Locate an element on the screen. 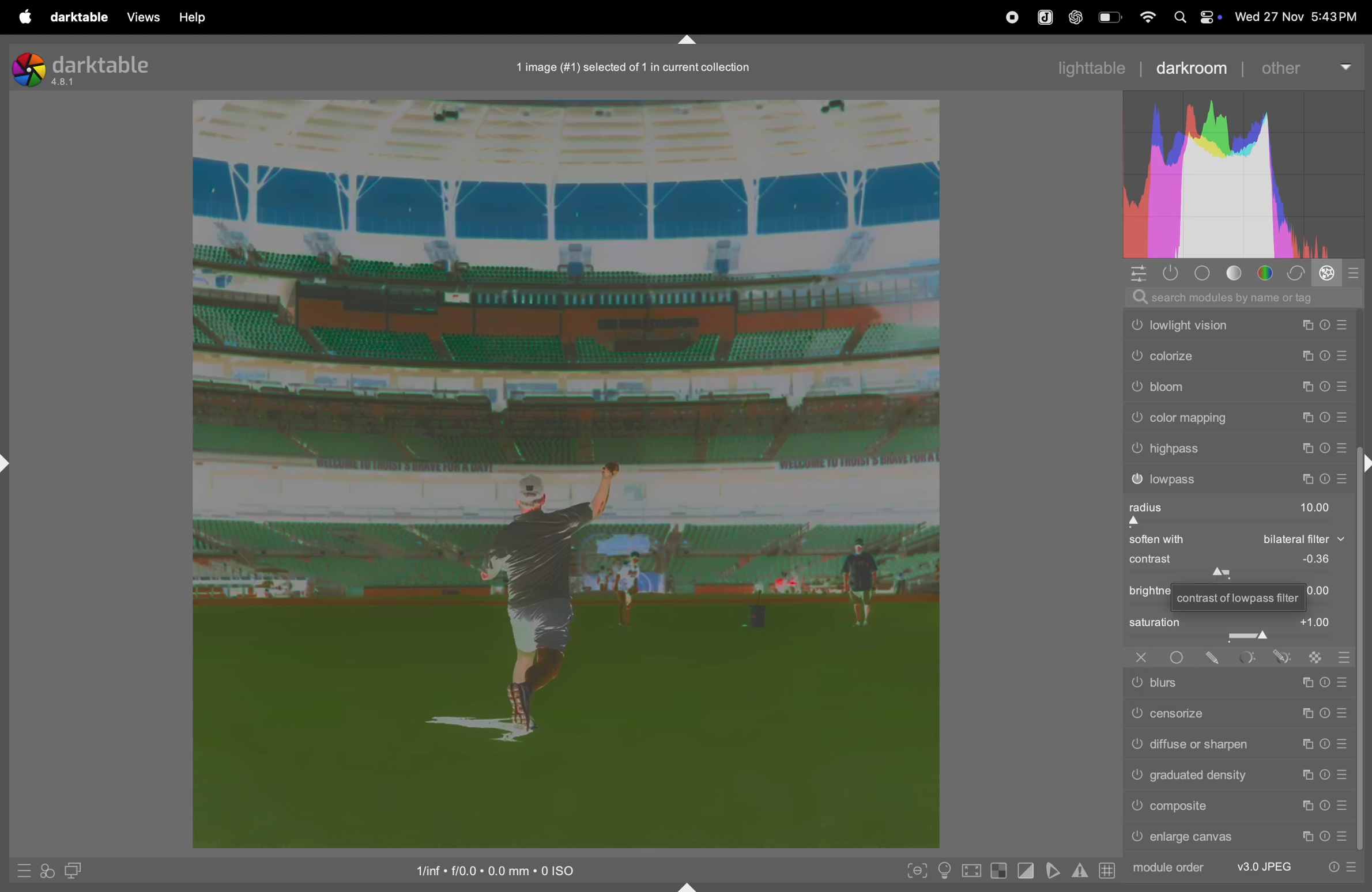 The height and width of the screenshot is (892, 1372). other is located at coordinates (1305, 66).